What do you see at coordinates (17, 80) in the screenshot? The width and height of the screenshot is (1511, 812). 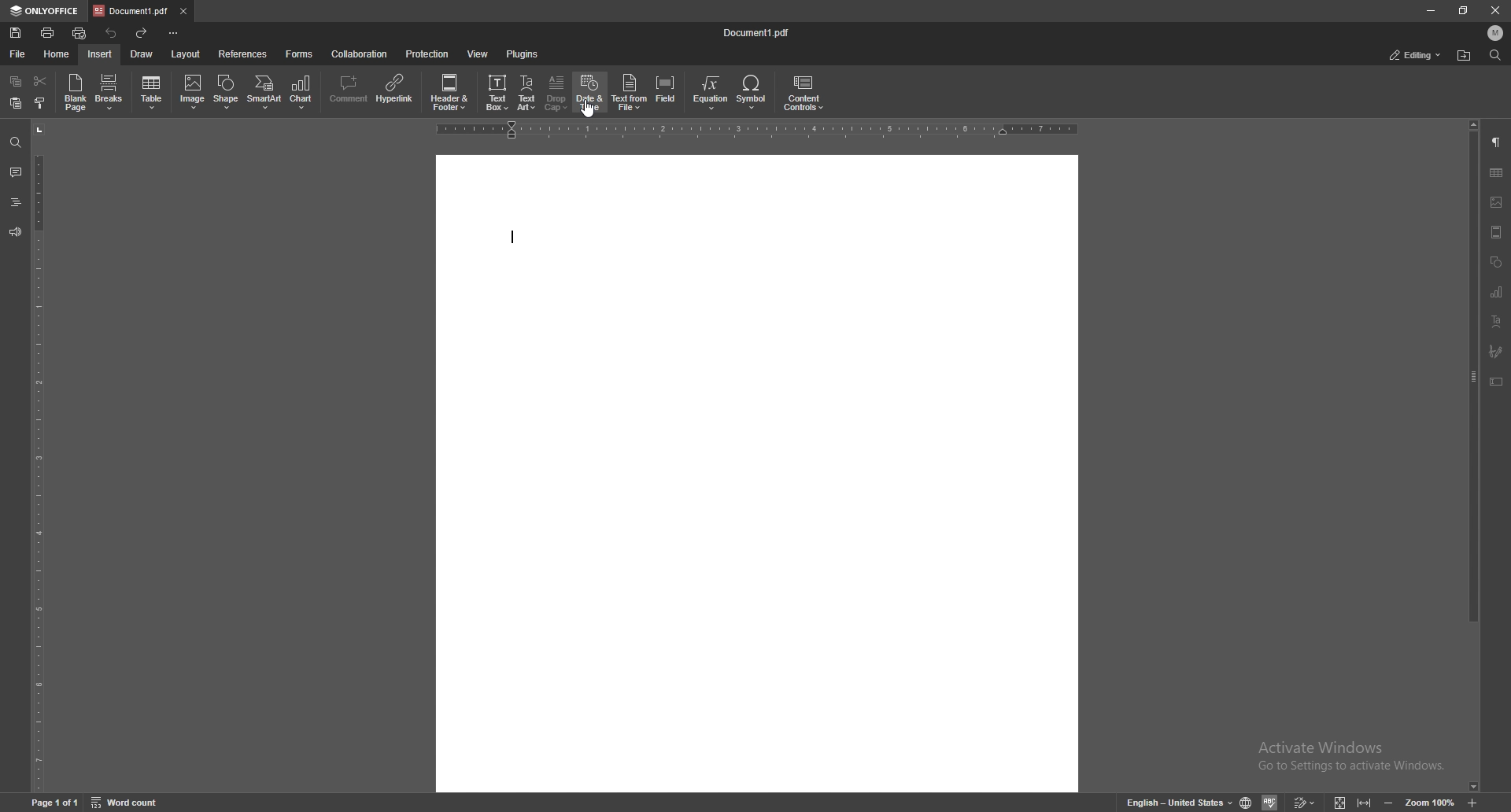 I see `copy` at bounding box center [17, 80].